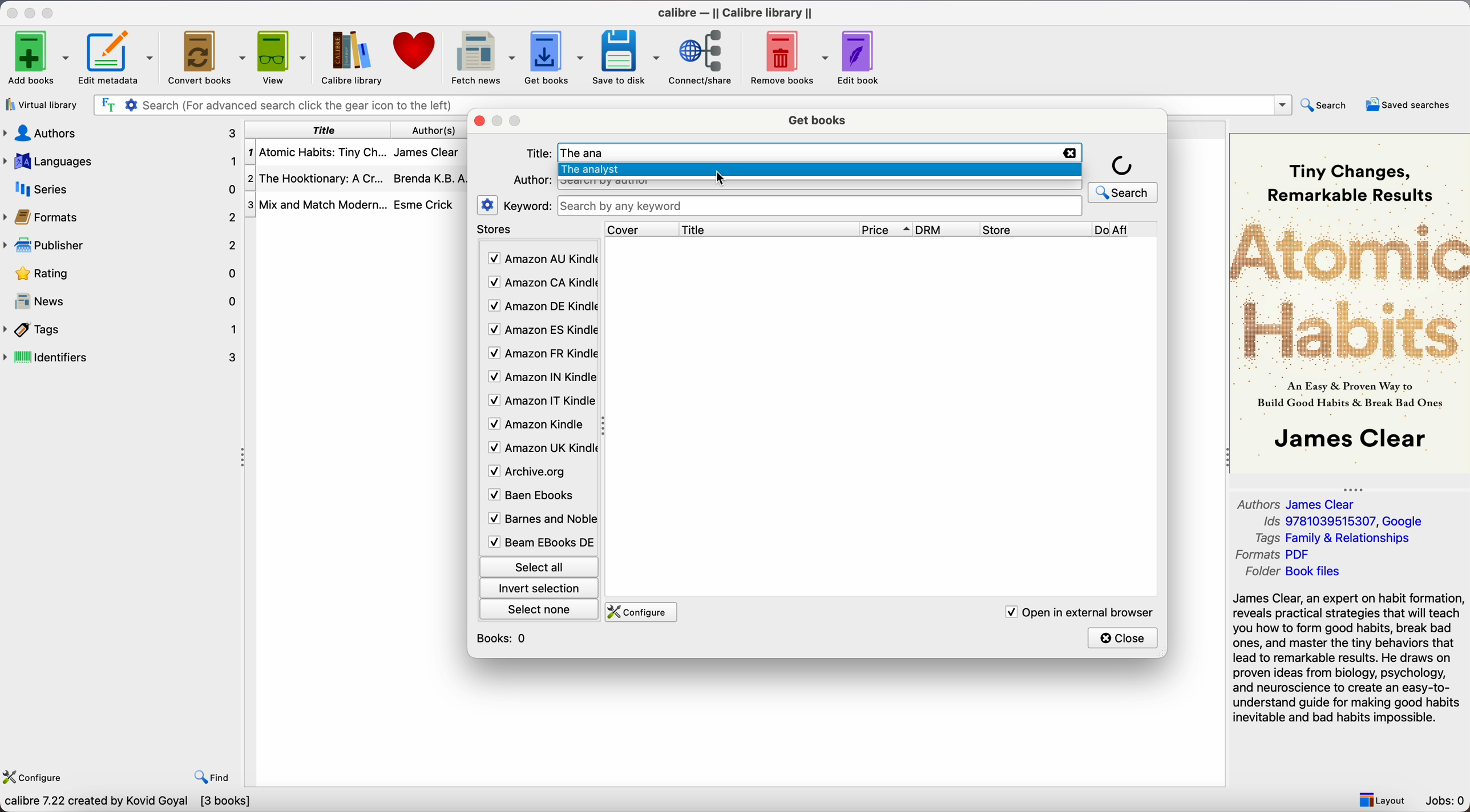 The height and width of the screenshot is (812, 1470). What do you see at coordinates (1408, 103) in the screenshot?
I see `saved searches` at bounding box center [1408, 103].